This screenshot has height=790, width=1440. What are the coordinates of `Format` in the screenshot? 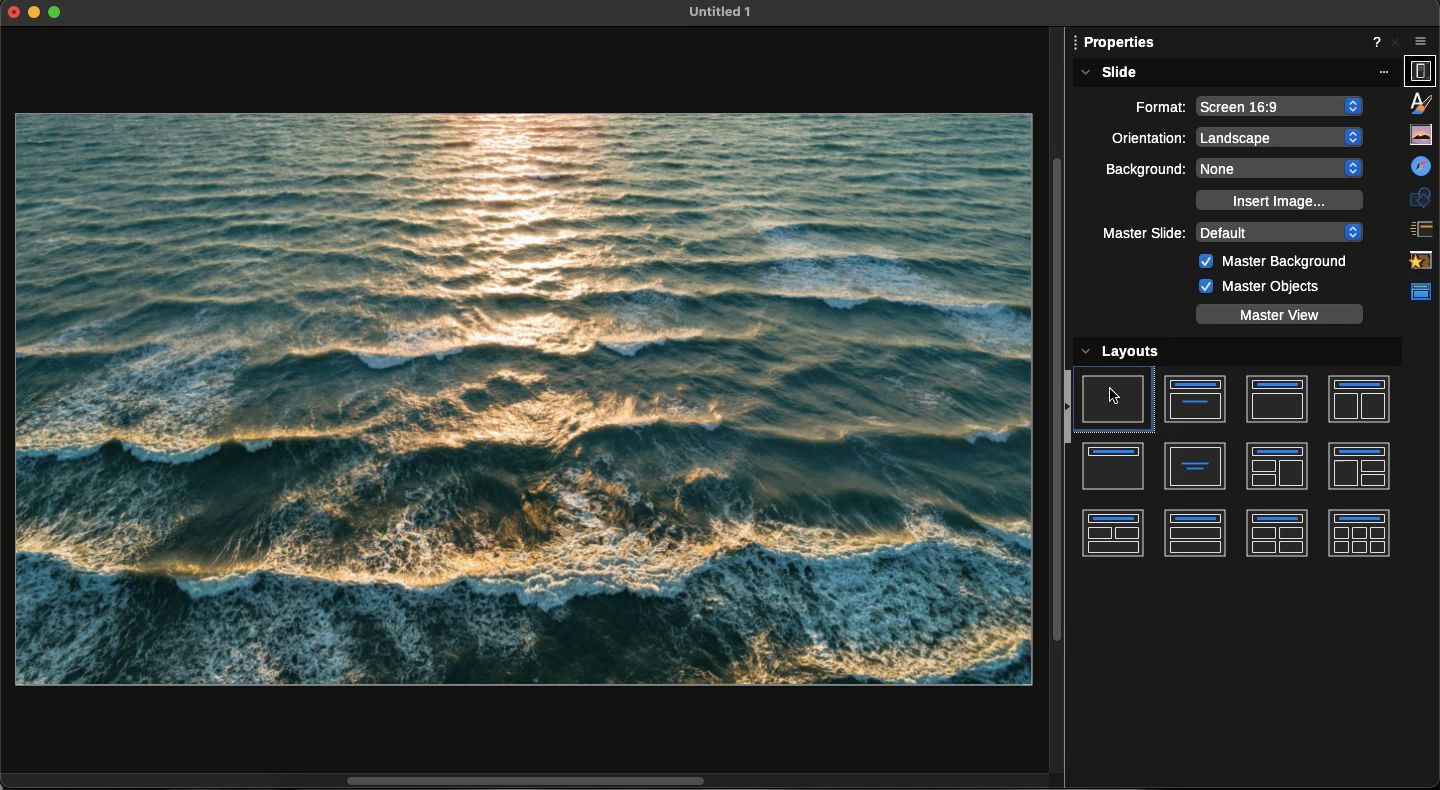 It's located at (1149, 105).